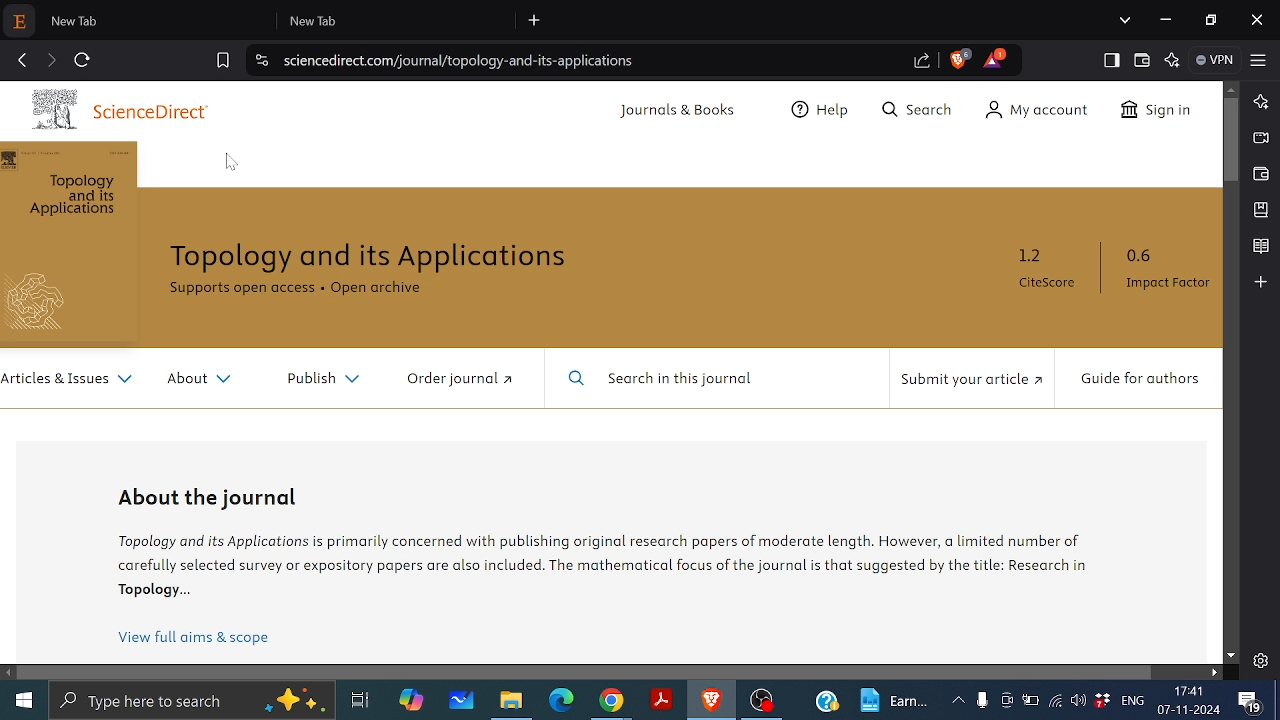 This screenshot has width=1280, height=720. Describe the element at coordinates (611, 702) in the screenshot. I see `Chrome` at that location.